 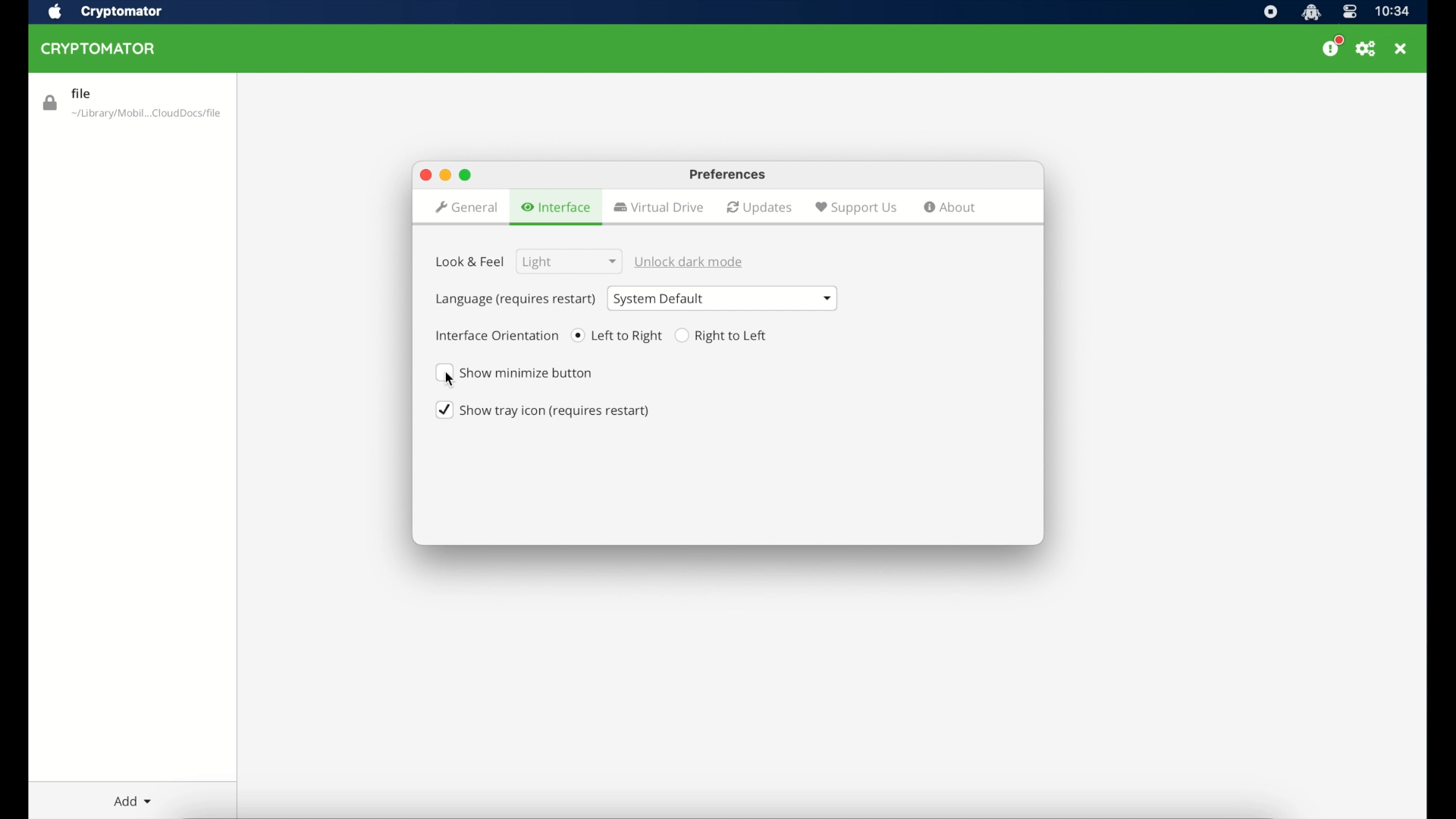 I want to click on radio button, so click(x=724, y=336).